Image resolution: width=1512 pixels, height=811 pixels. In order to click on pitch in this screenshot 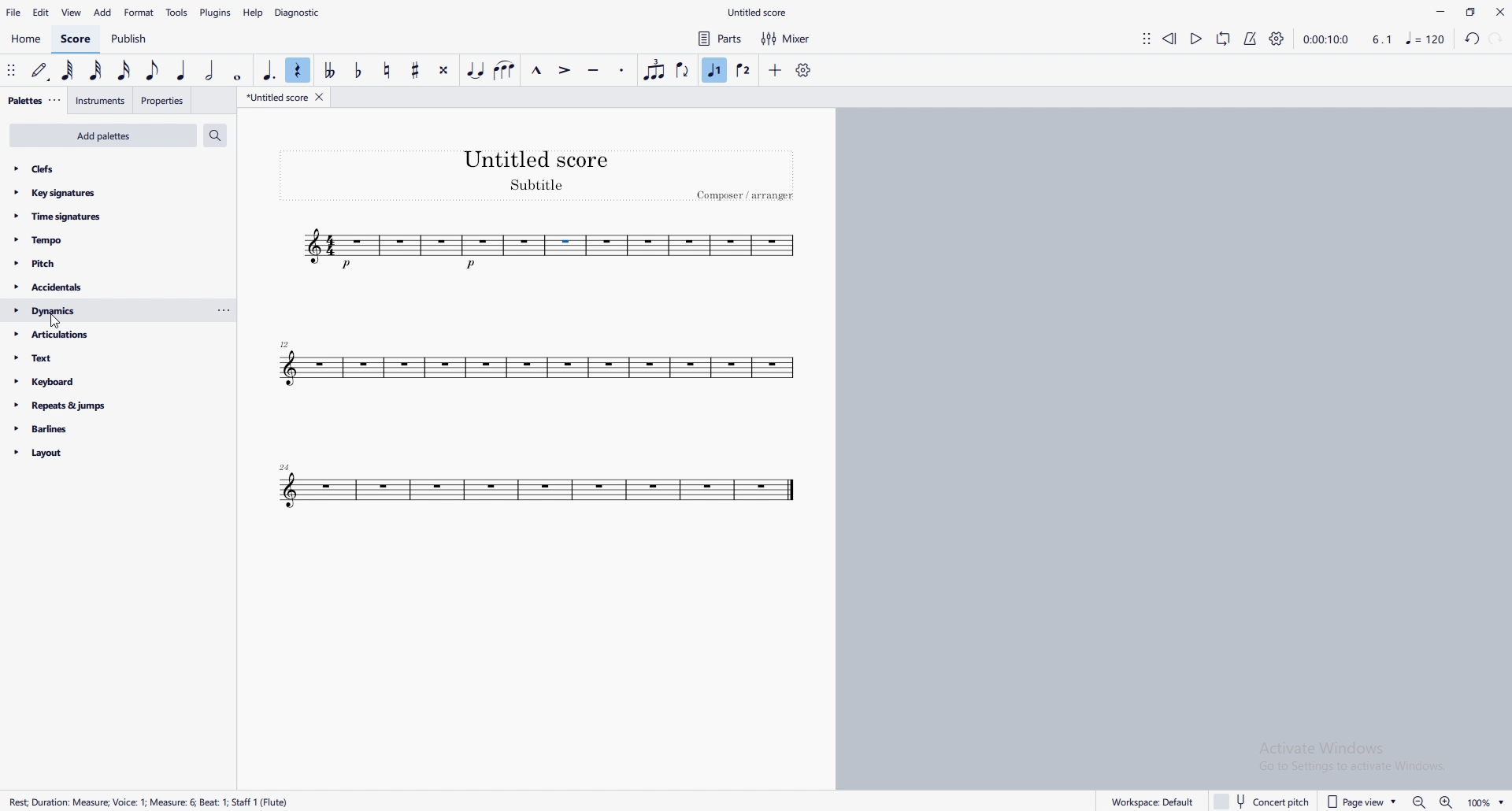, I will do `click(101, 264)`.